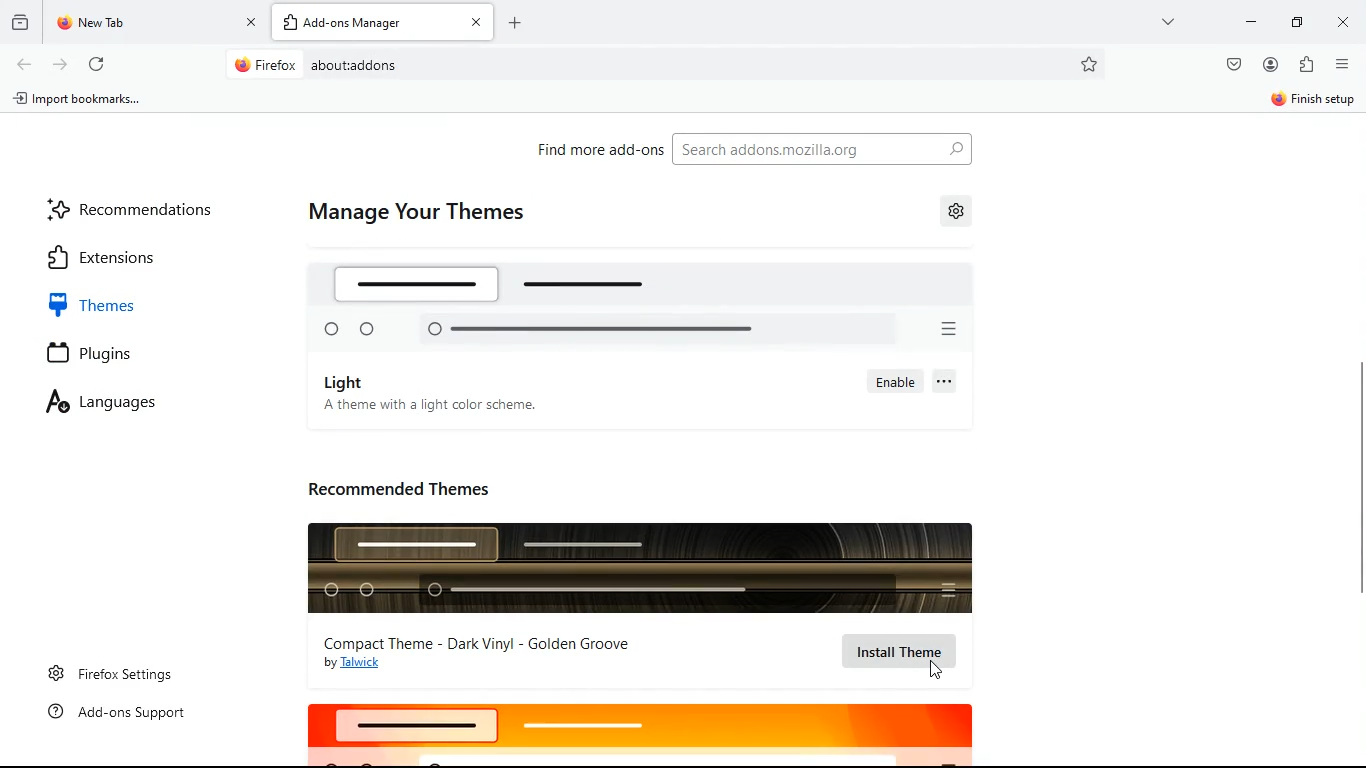 The width and height of the screenshot is (1366, 768). I want to click on forward, so click(61, 66).